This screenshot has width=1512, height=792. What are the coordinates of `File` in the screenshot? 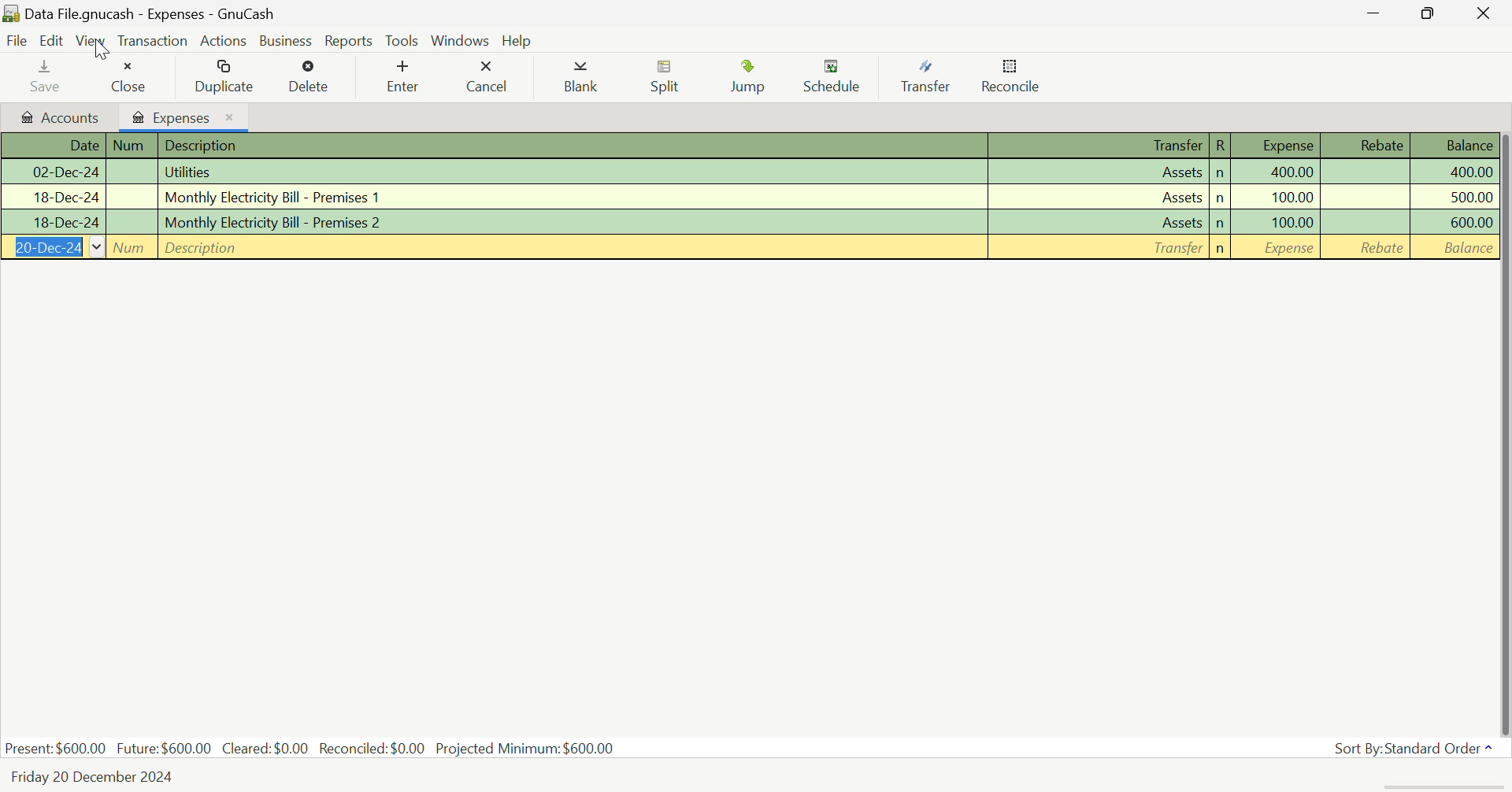 It's located at (17, 41).